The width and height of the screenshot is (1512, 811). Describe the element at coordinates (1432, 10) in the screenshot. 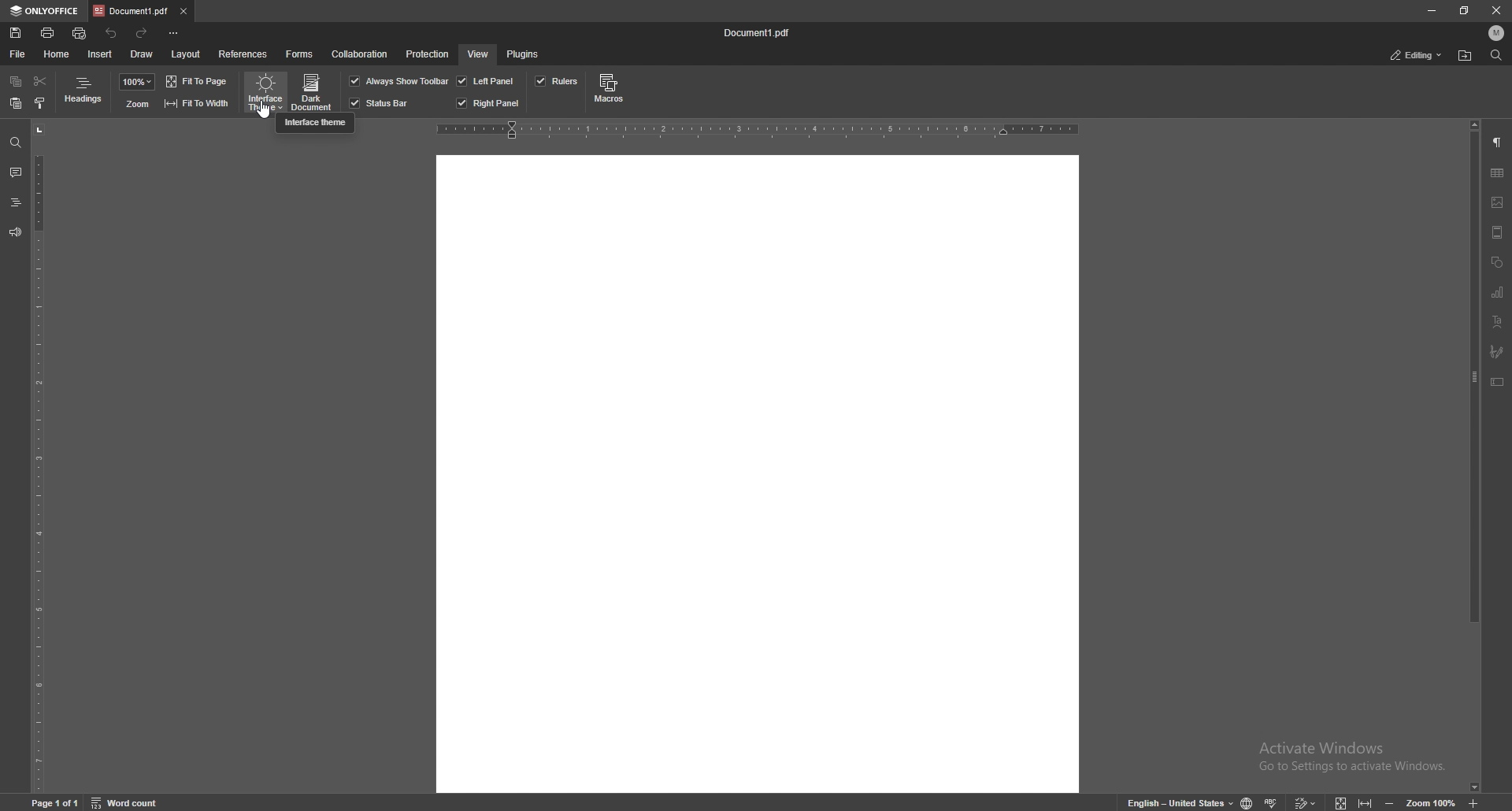

I see `minimize` at that location.